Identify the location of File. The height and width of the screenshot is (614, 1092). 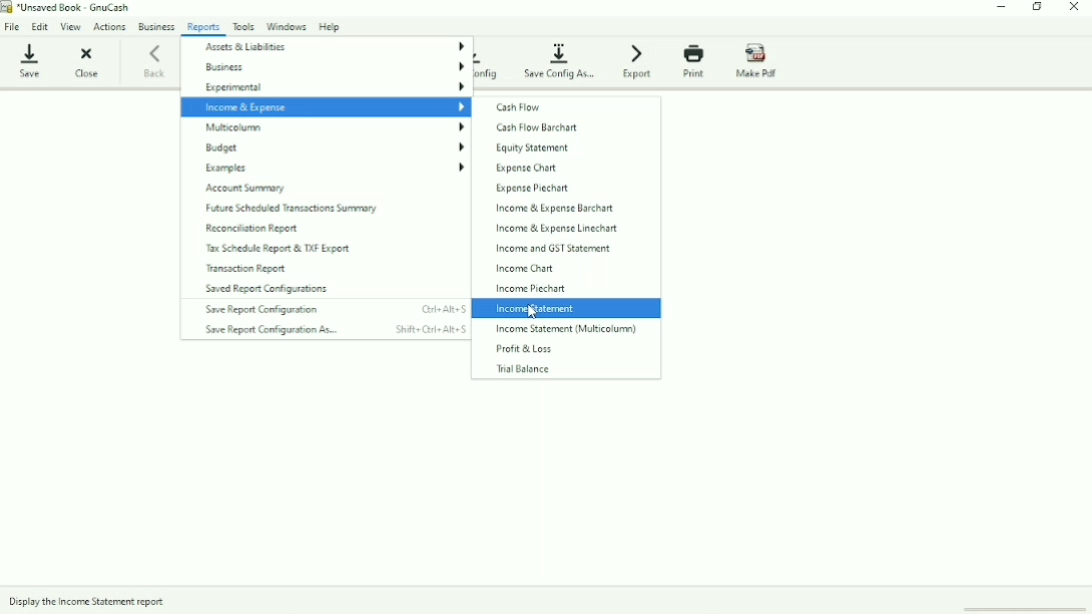
(13, 25).